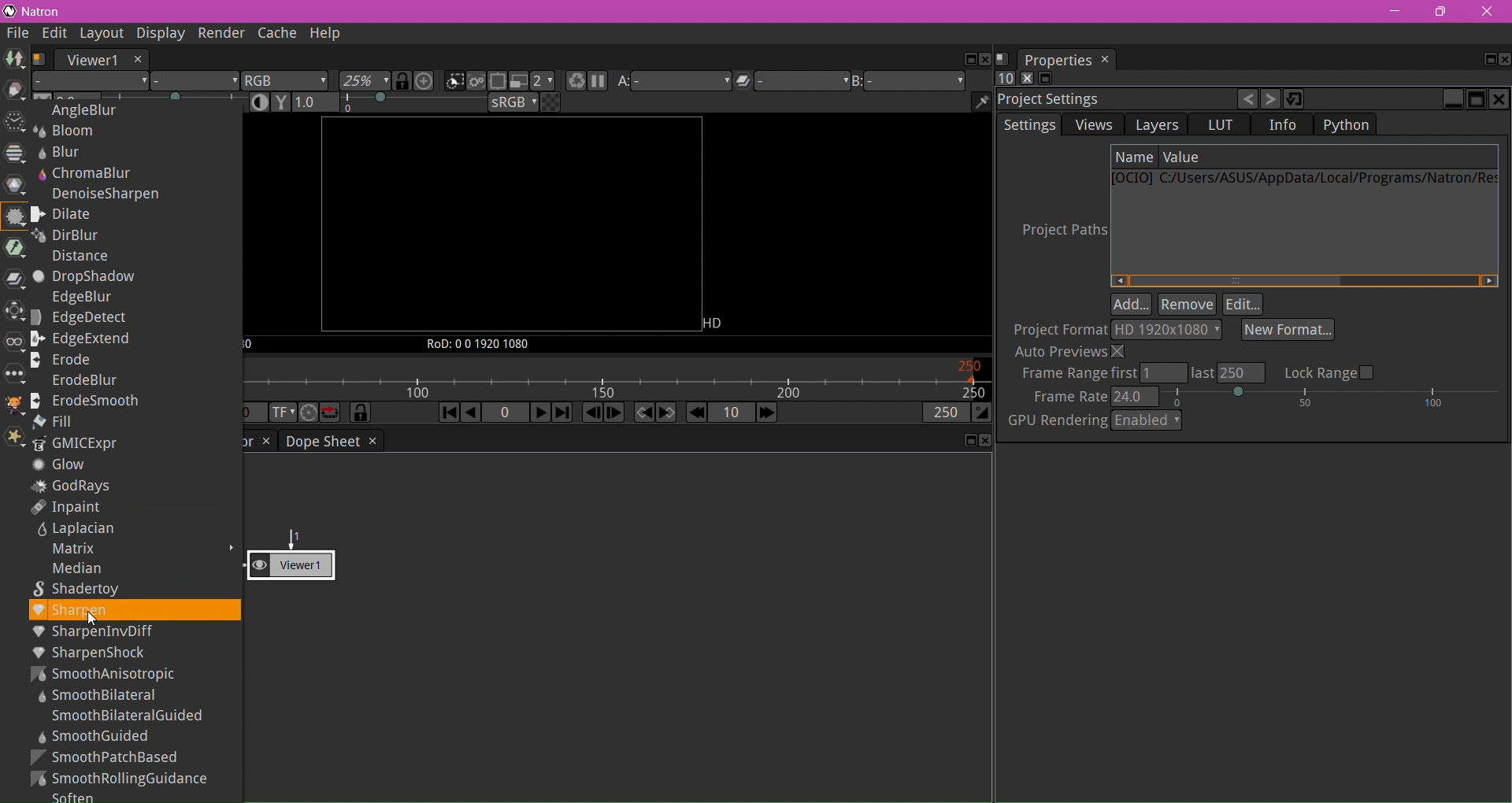 The height and width of the screenshot is (803, 1512). Describe the element at coordinates (78, 259) in the screenshot. I see `Distance` at that location.